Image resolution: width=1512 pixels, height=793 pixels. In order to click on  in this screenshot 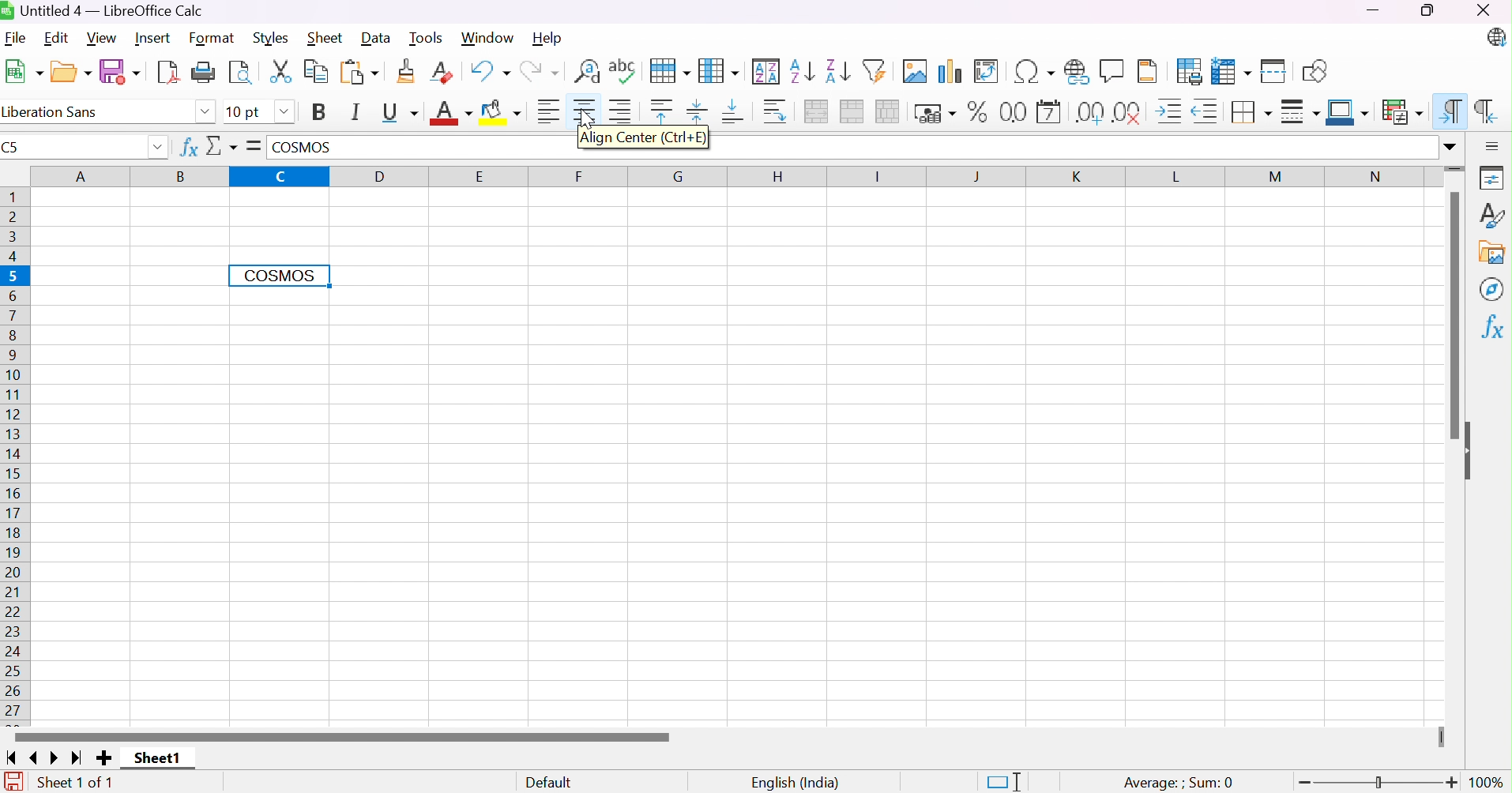, I will do `click(246, 112)`.